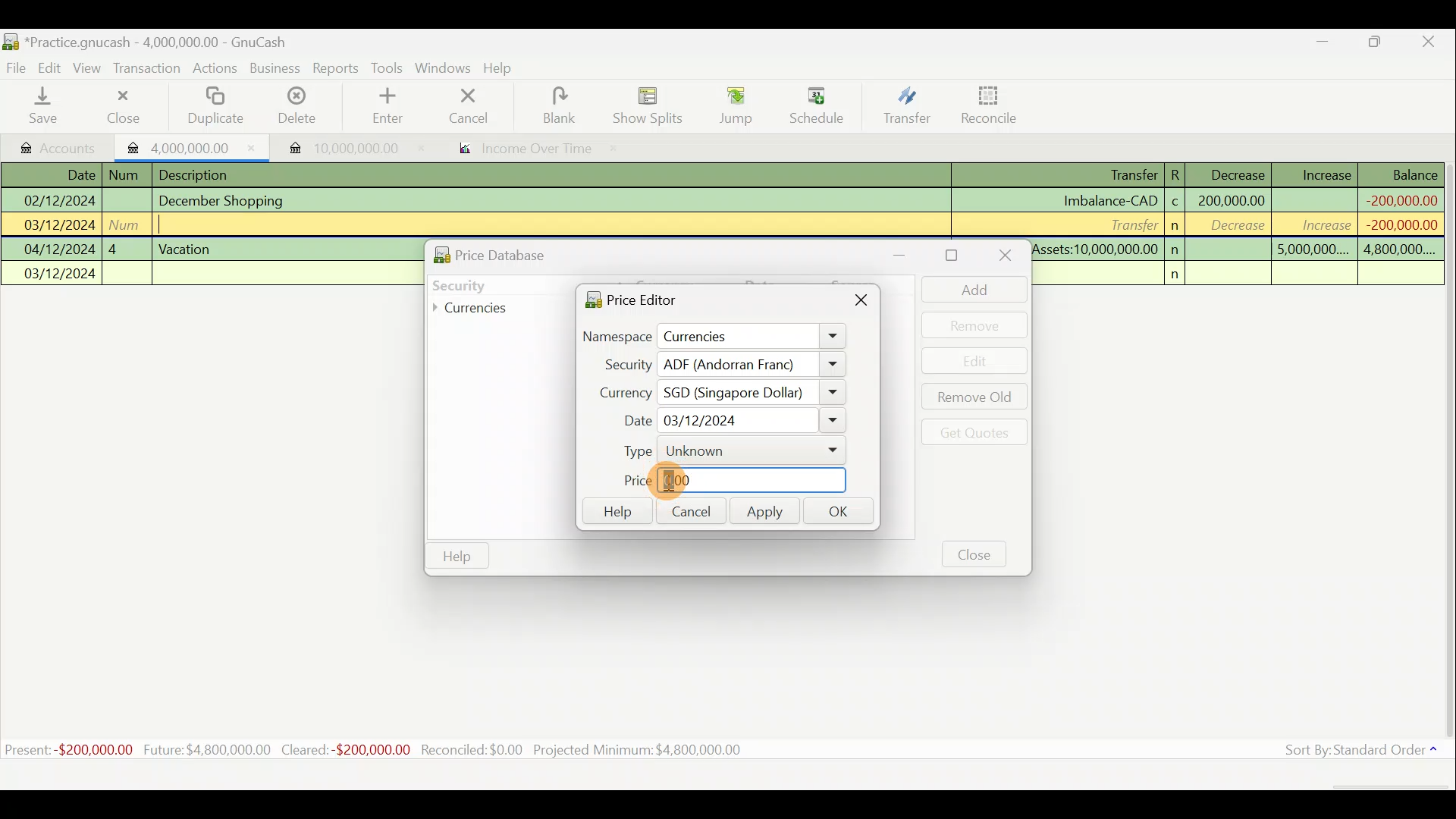 This screenshot has width=1456, height=819. What do you see at coordinates (1354, 752) in the screenshot?
I see `Sort by` at bounding box center [1354, 752].